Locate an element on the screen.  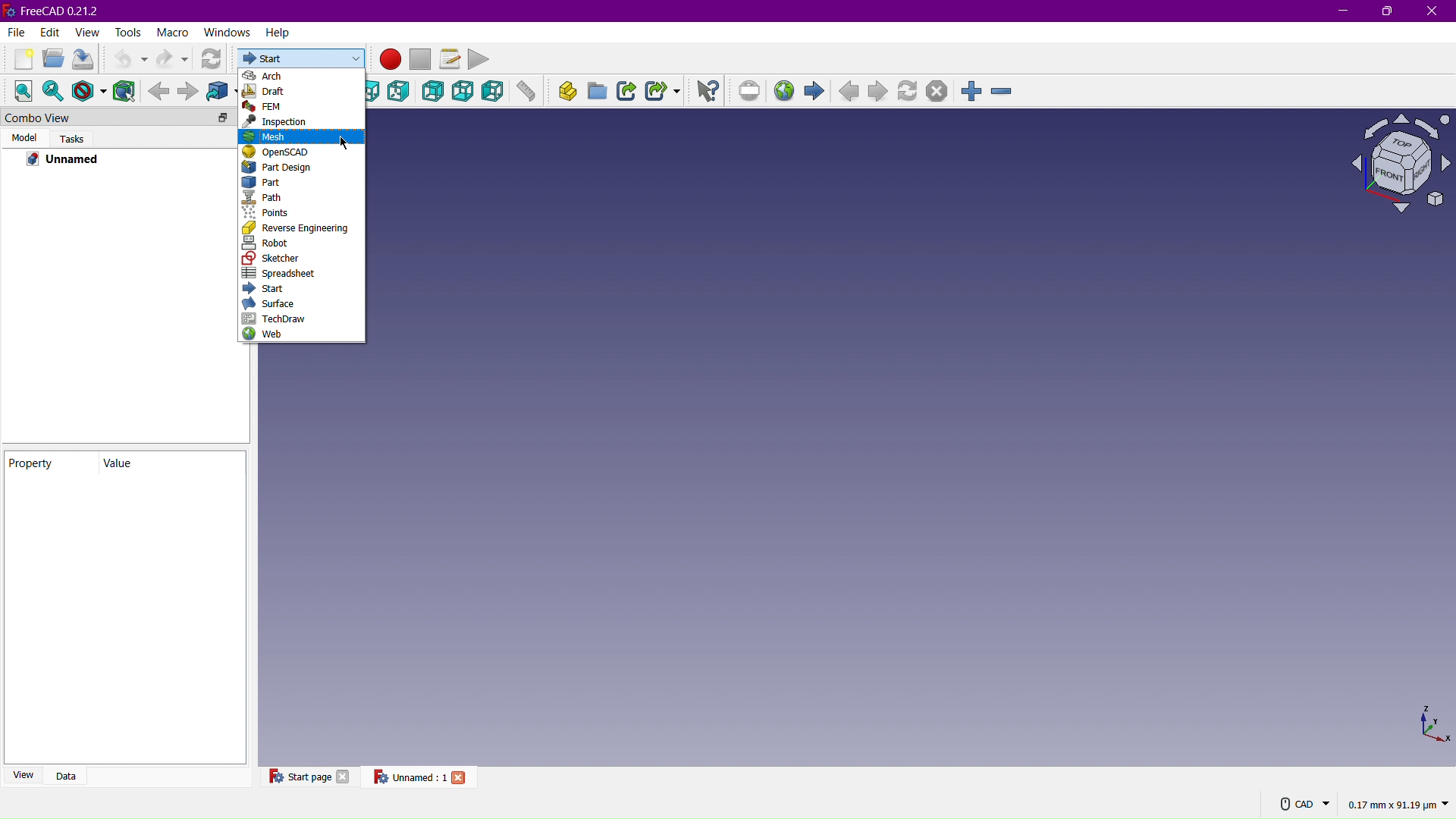
View is located at coordinates (87, 32).